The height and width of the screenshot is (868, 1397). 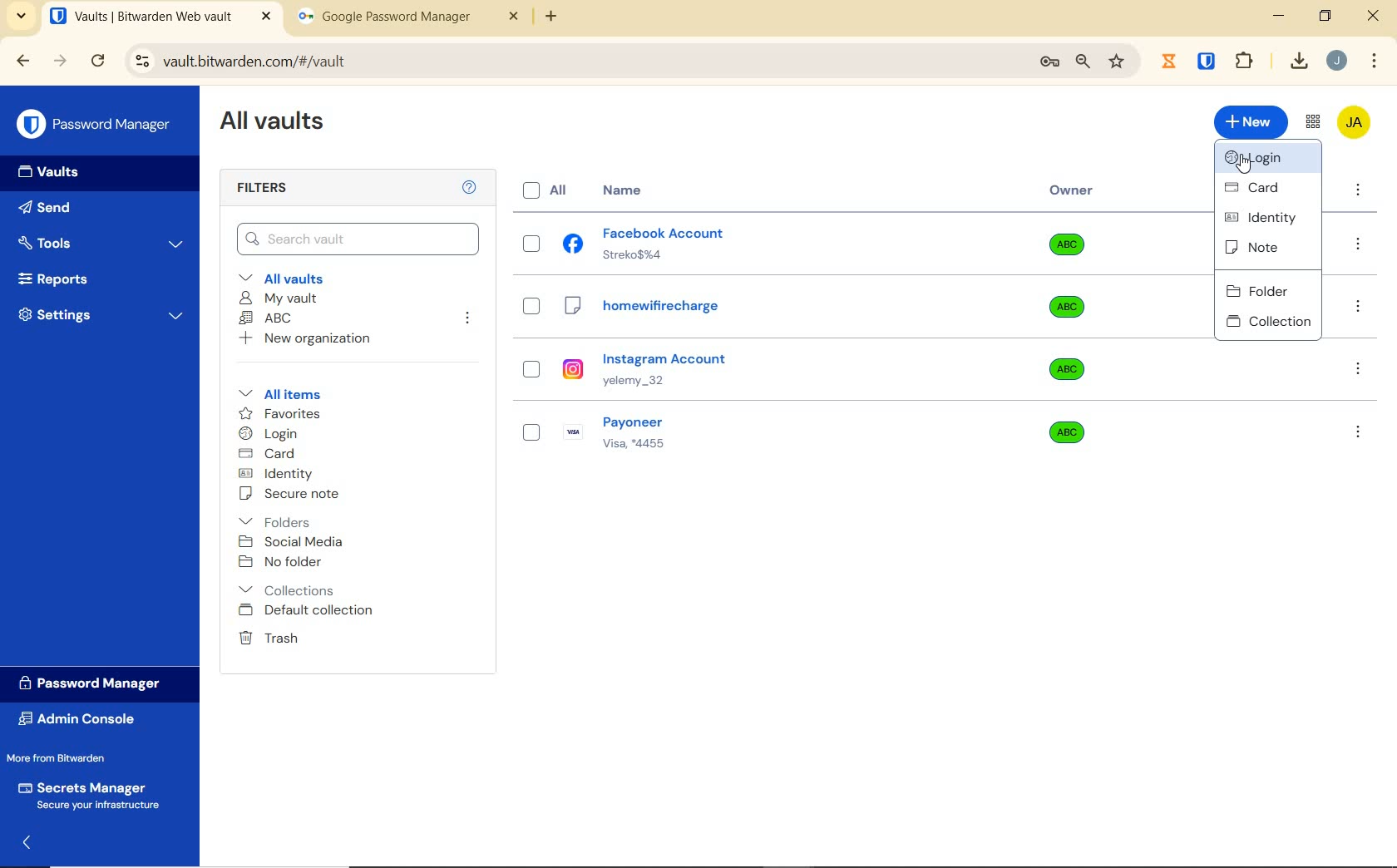 What do you see at coordinates (81, 721) in the screenshot?
I see `Admin Console` at bounding box center [81, 721].